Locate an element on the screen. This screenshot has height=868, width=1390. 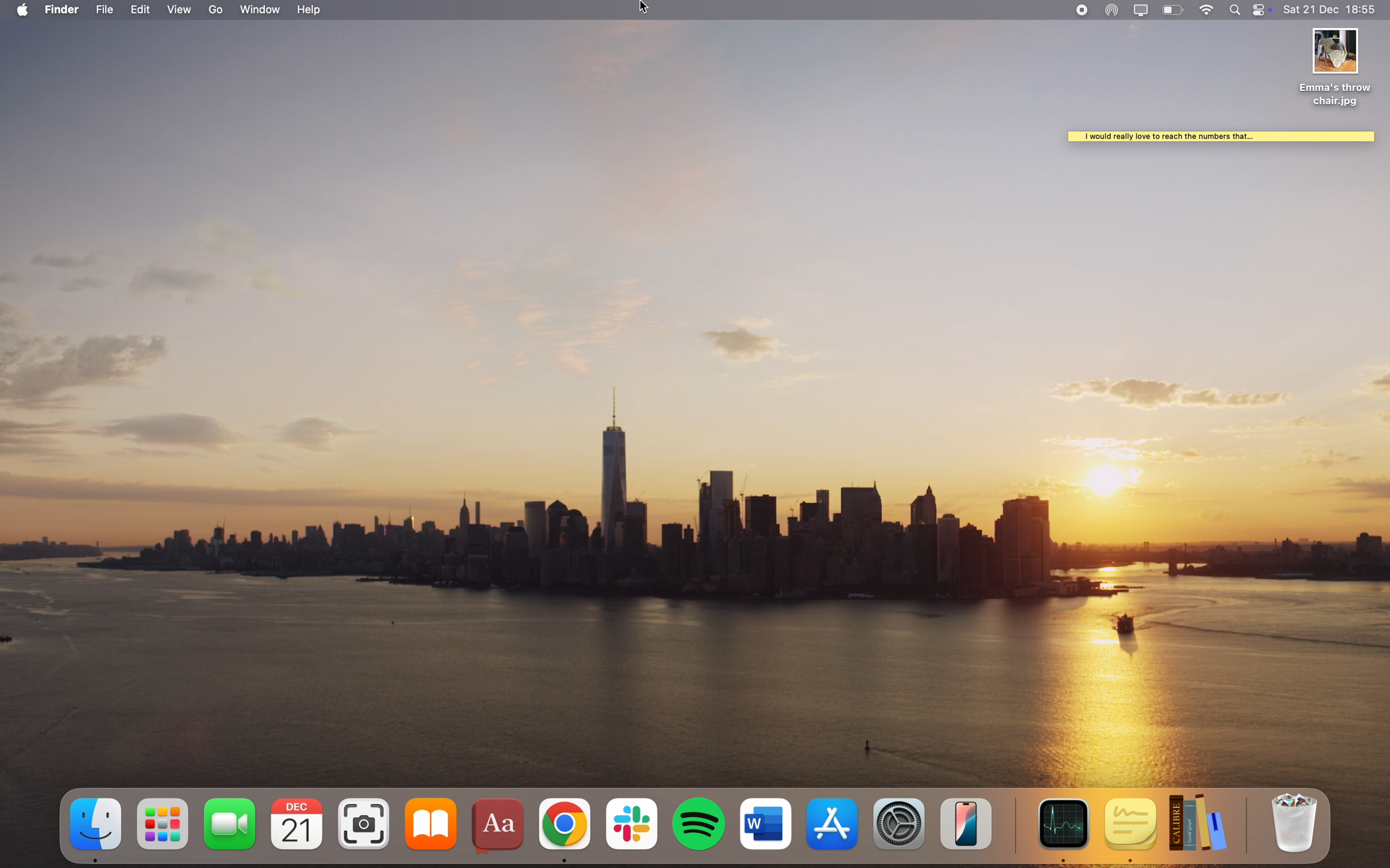
background is located at coordinates (1222, 470).